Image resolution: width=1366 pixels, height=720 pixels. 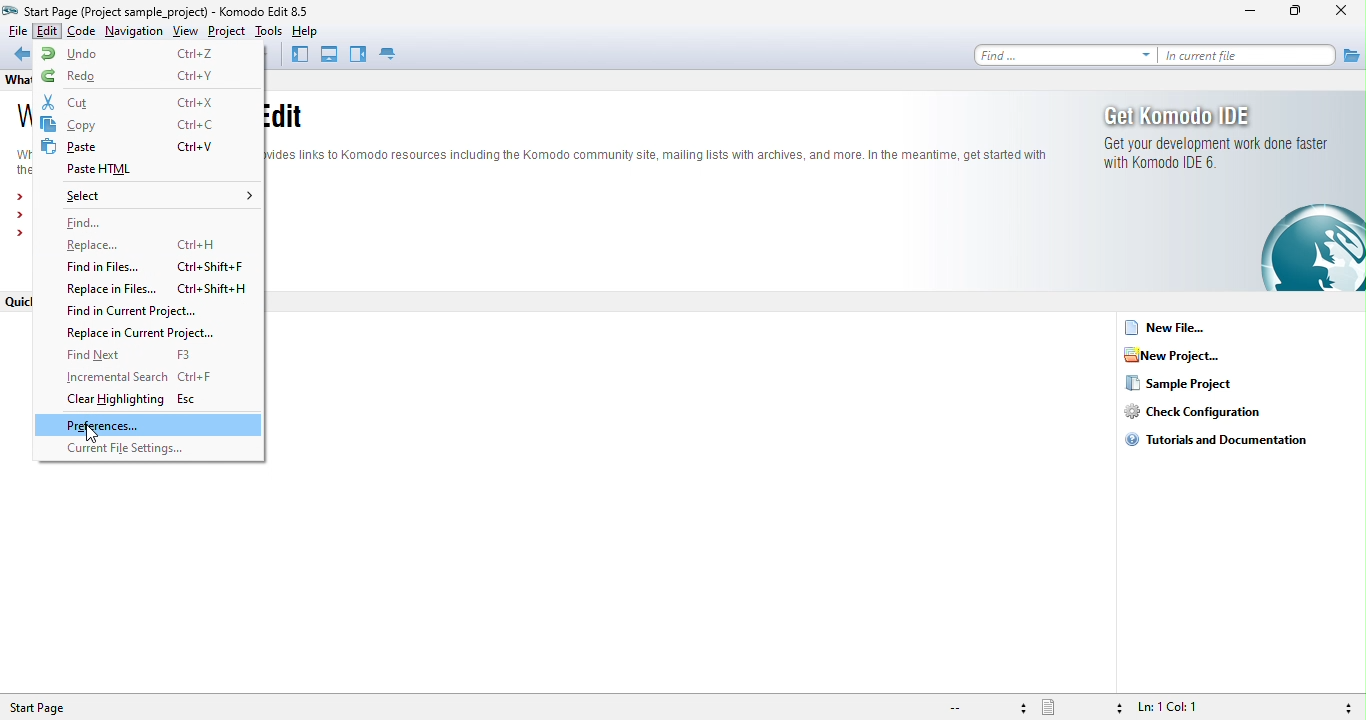 I want to click on tools, so click(x=269, y=31).